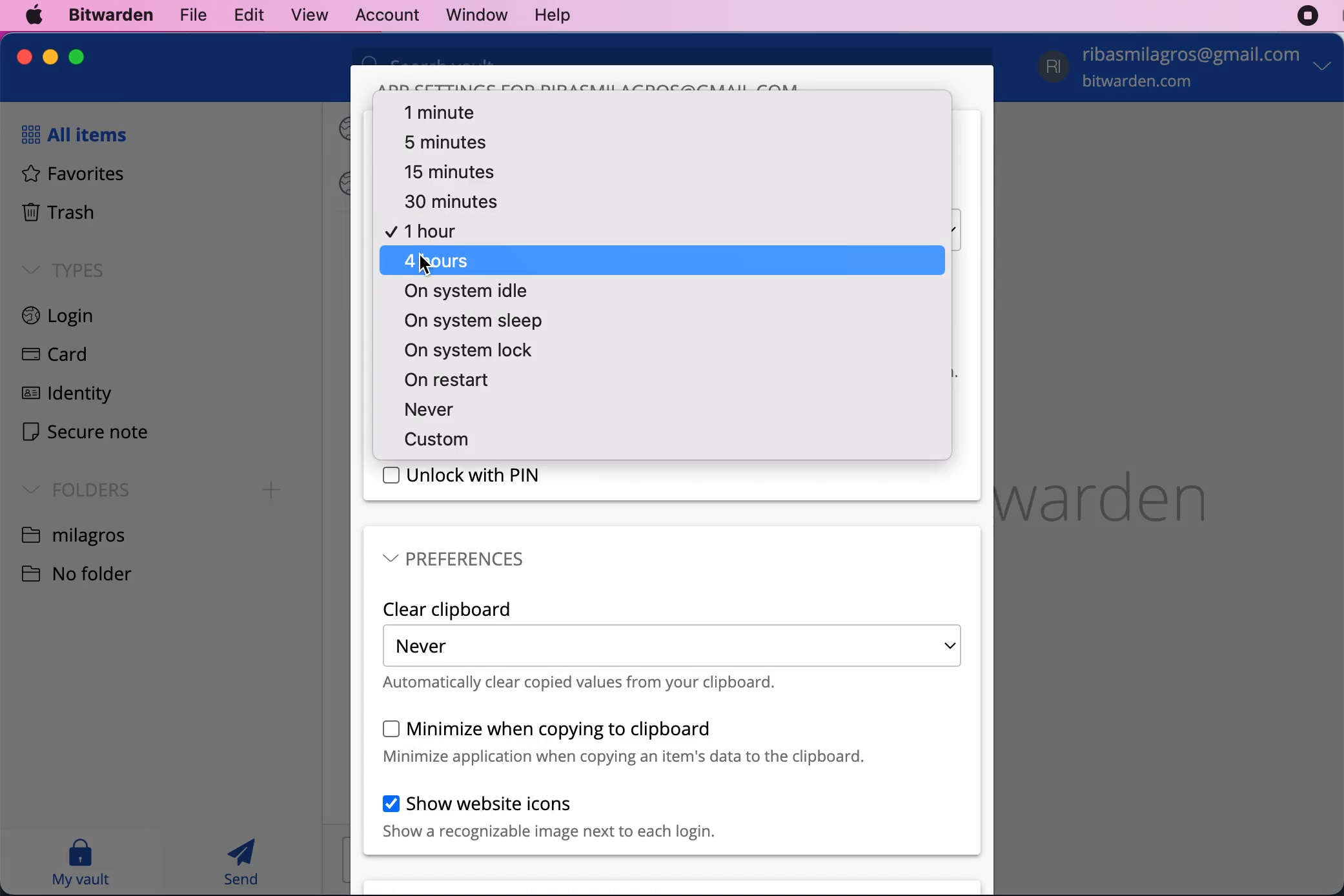 The image size is (1344, 896). What do you see at coordinates (469, 15) in the screenshot?
I see `window` at bounding box center [469, 15].